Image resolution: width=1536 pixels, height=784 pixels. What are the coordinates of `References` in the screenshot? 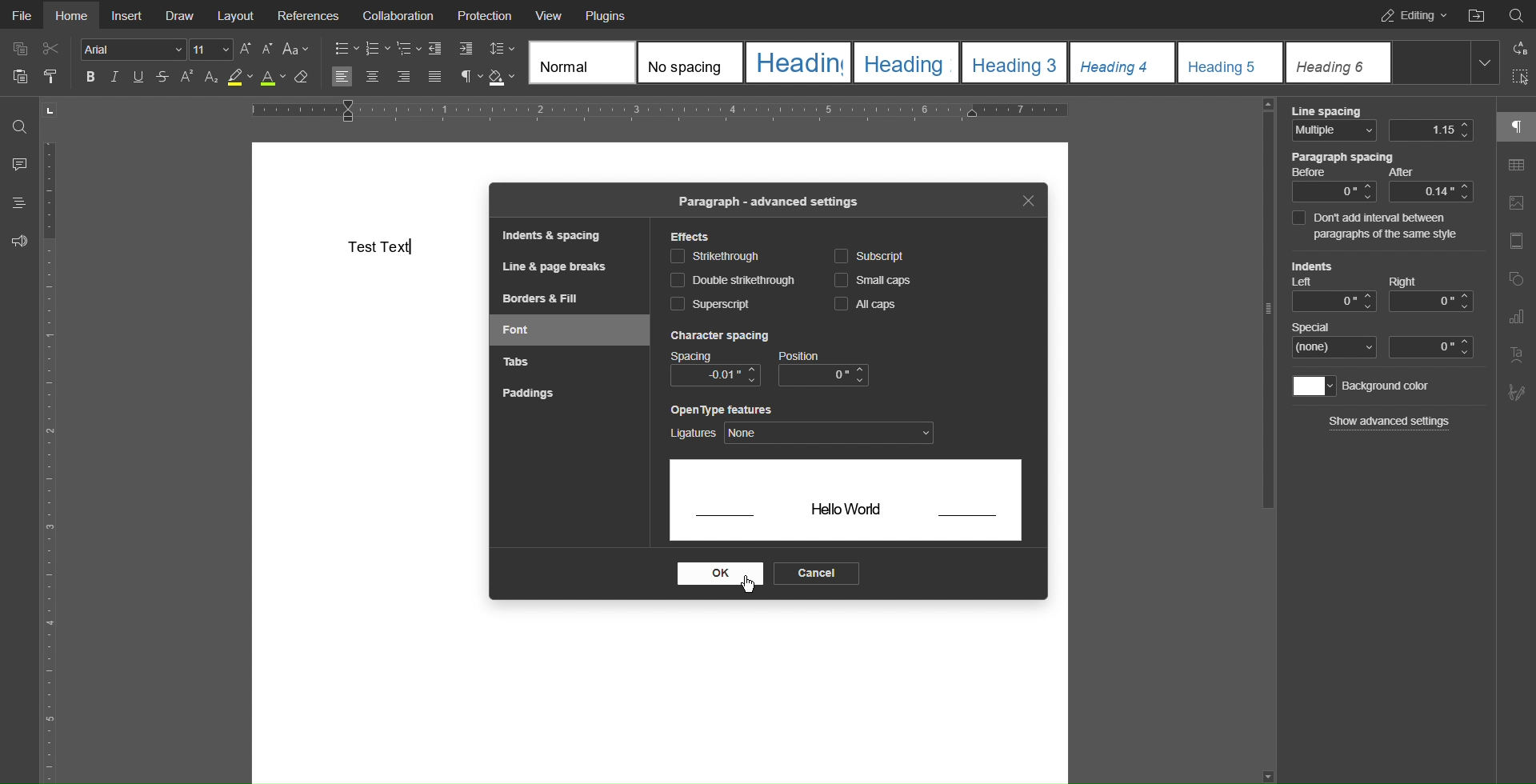 It's located at (309, 14).